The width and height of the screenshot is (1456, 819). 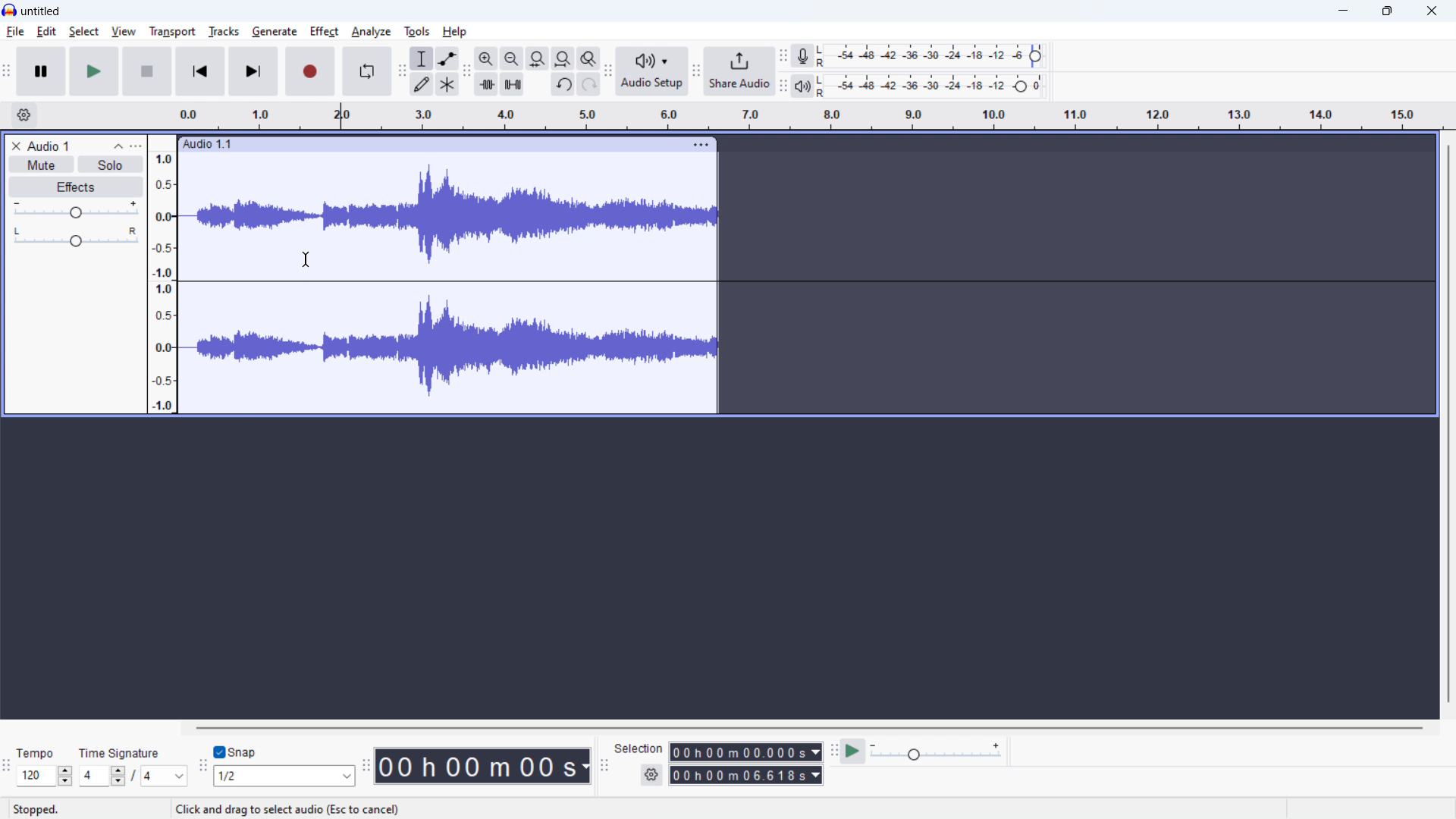 I want to click on selection tool, so click(x=422, y=58).